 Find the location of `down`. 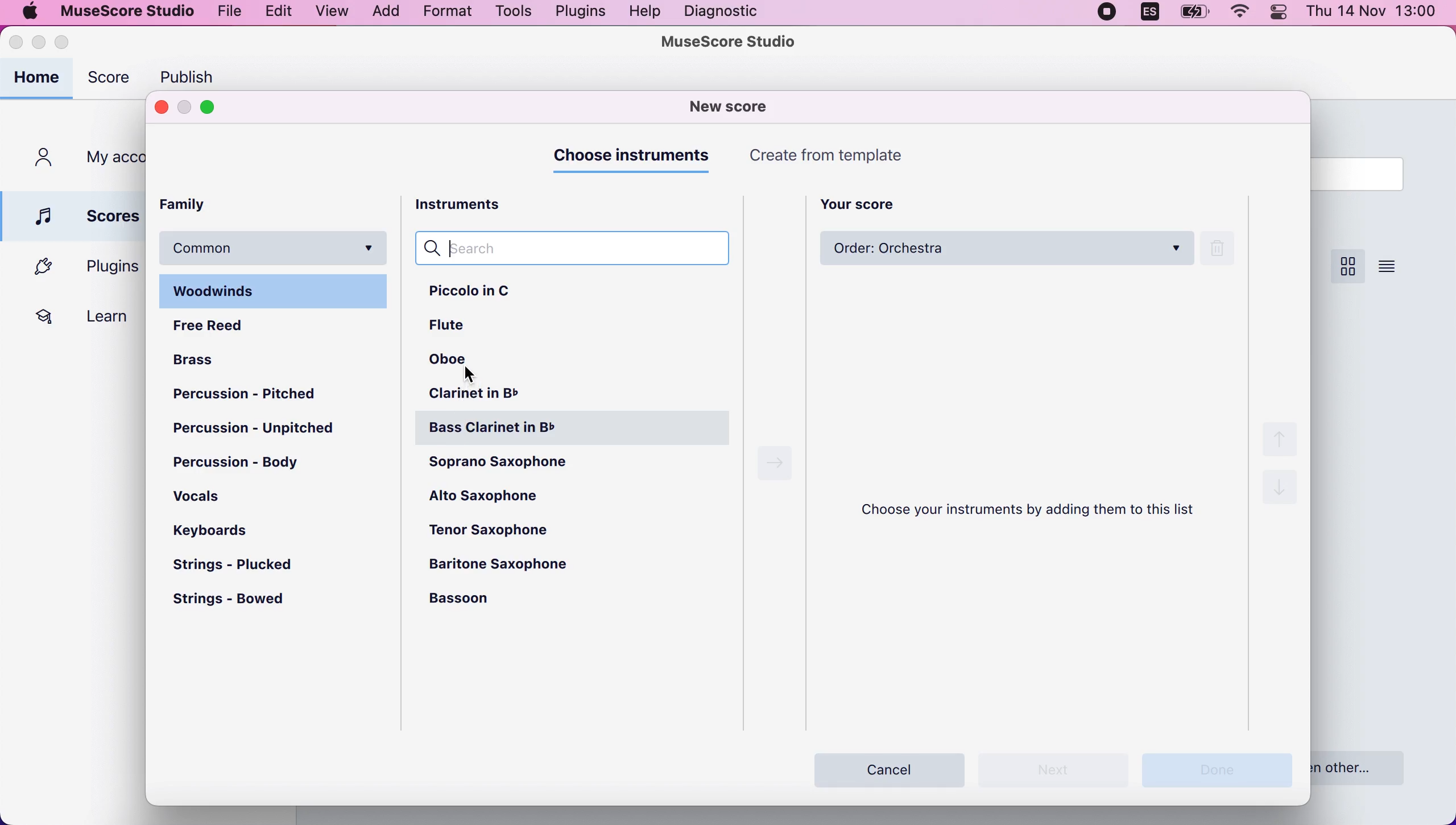

down is located at coordinates (1281, 494).